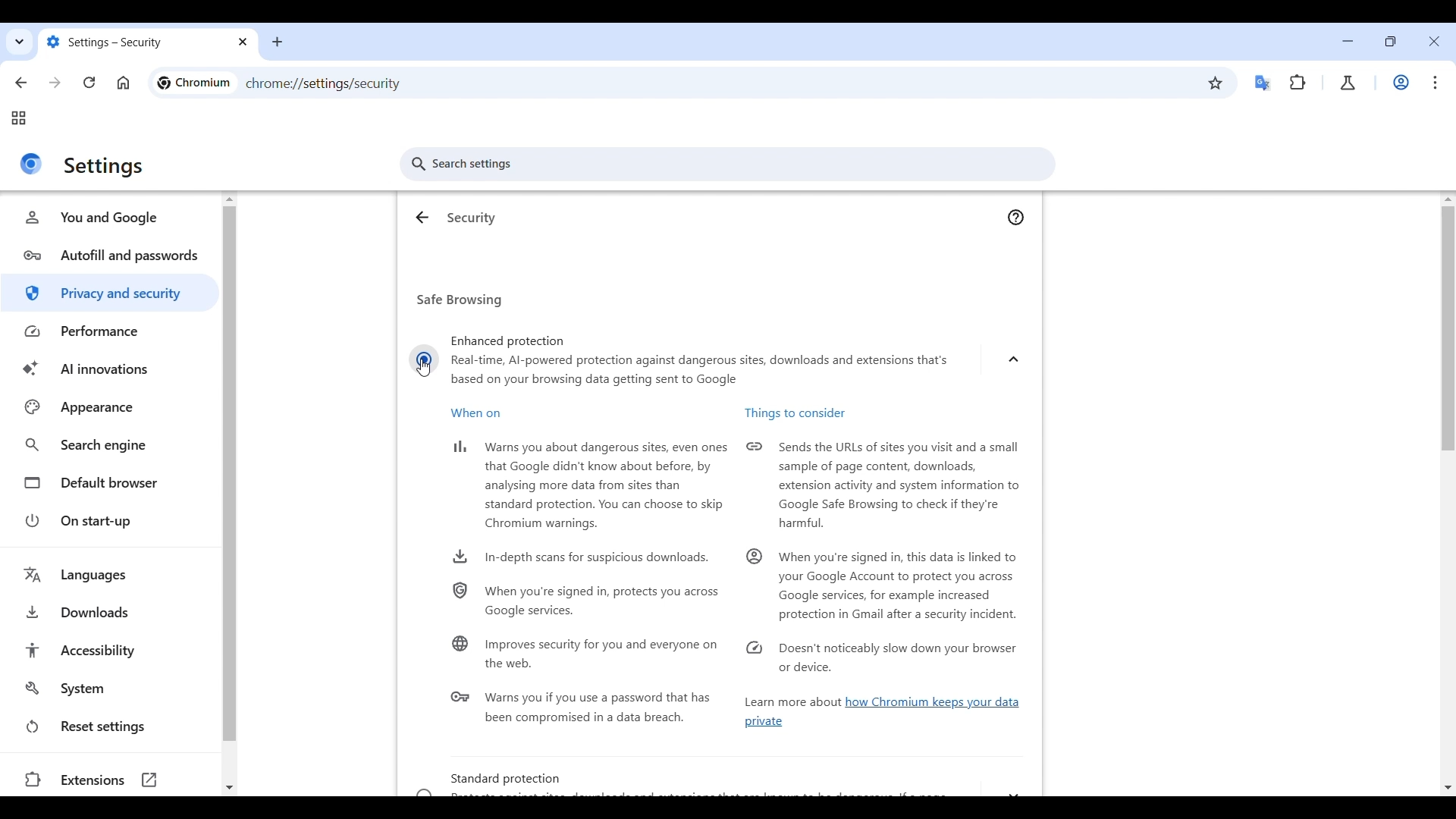 The width and height of the screenshot is (1456, 819). Describe the element at coordinates (55, 83) in the screenshot. I see `Go forward` at that location.